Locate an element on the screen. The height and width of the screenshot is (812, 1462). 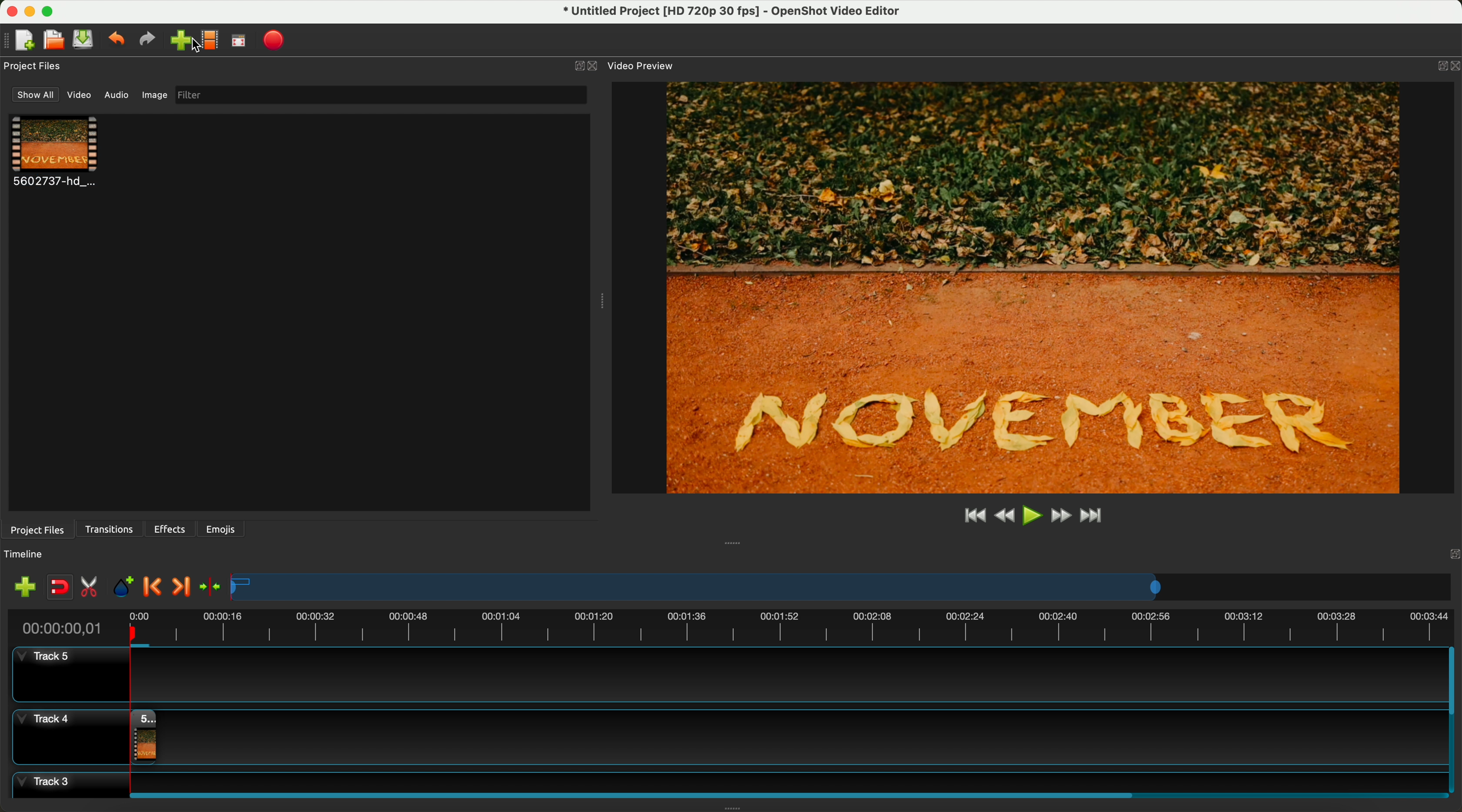
open project is located at coordinates (53, 41).